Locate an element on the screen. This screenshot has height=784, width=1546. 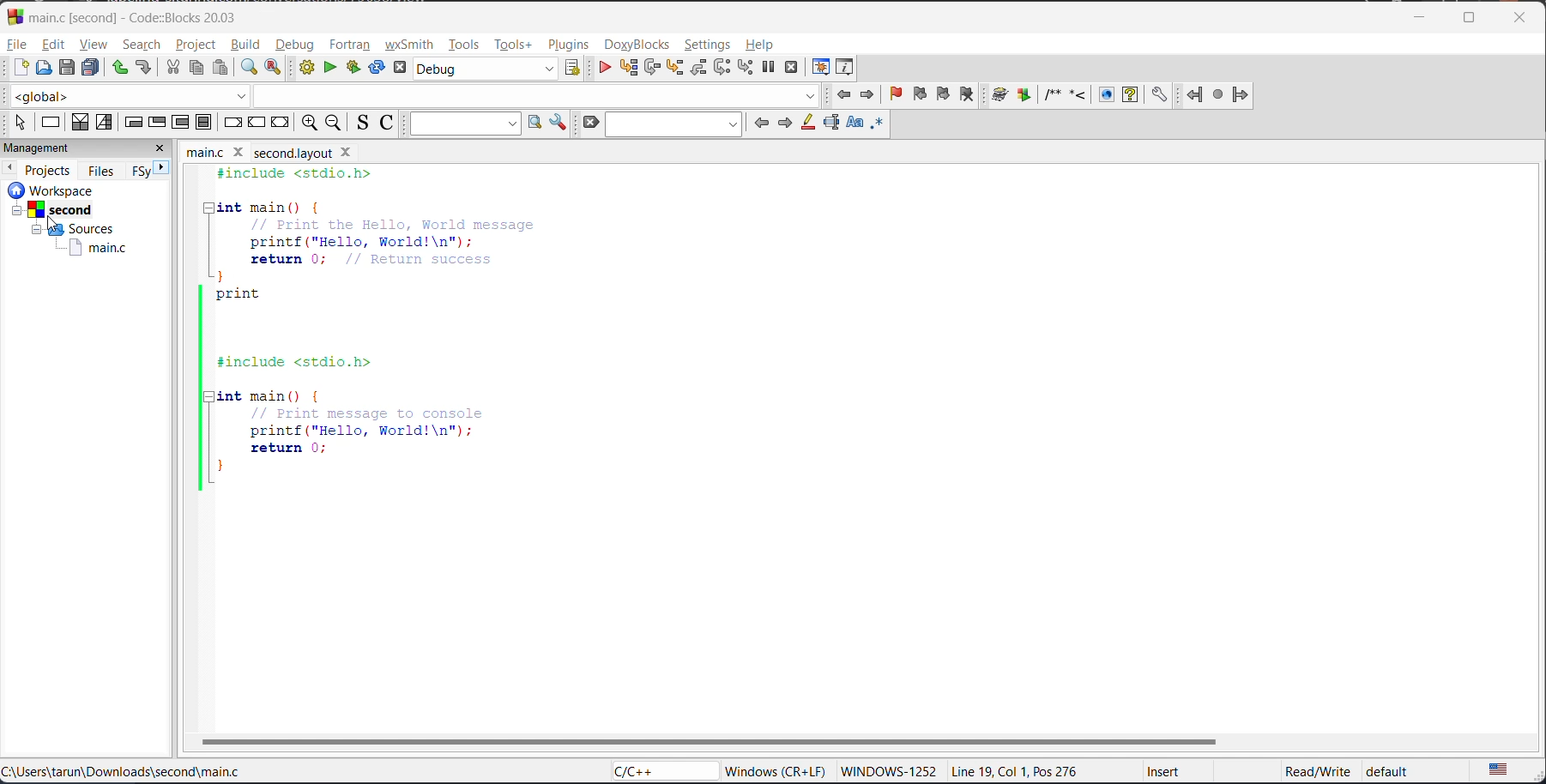
previous bookmark is located at coordinates (918, 91).